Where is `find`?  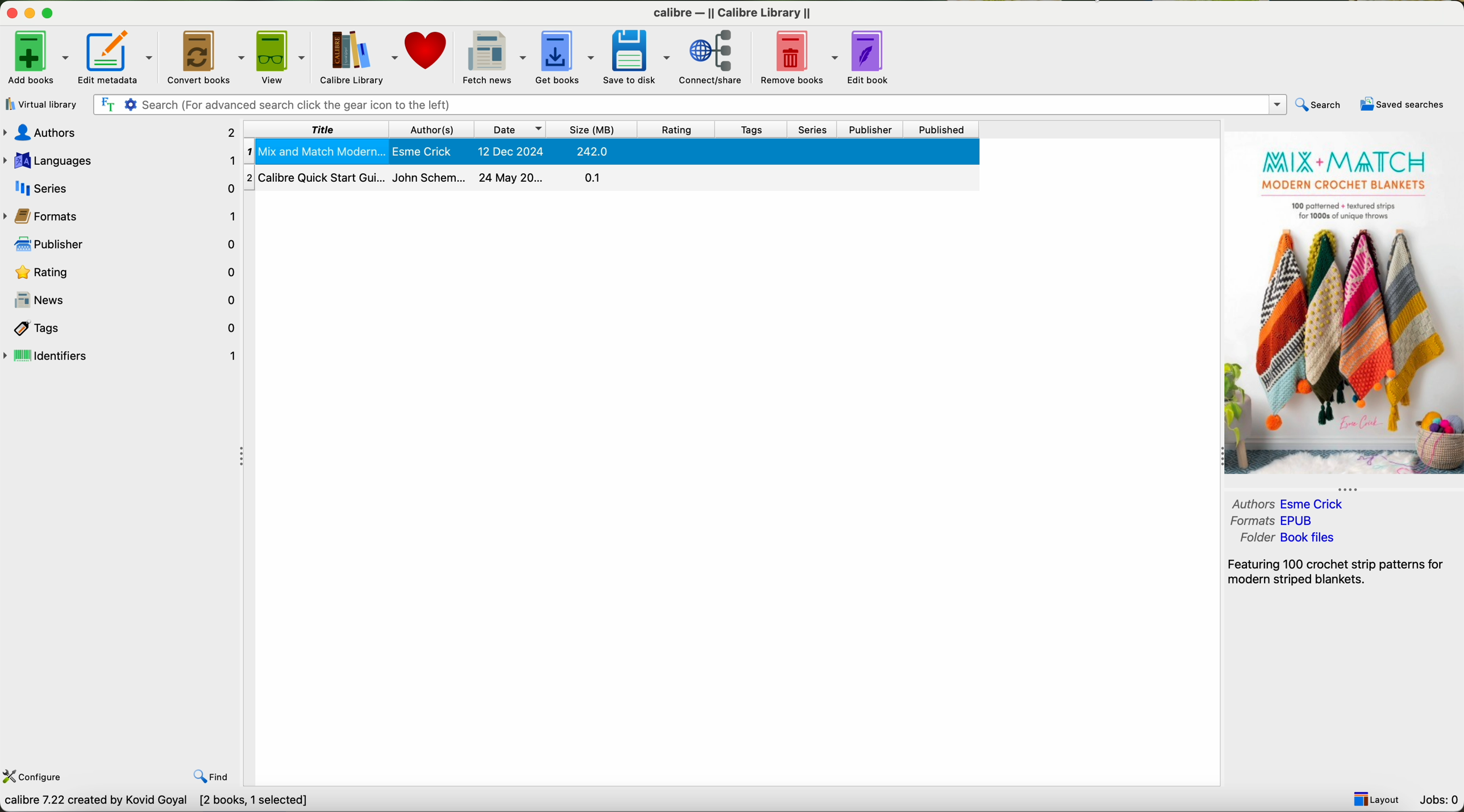 find is located at coordinates (215, 777).